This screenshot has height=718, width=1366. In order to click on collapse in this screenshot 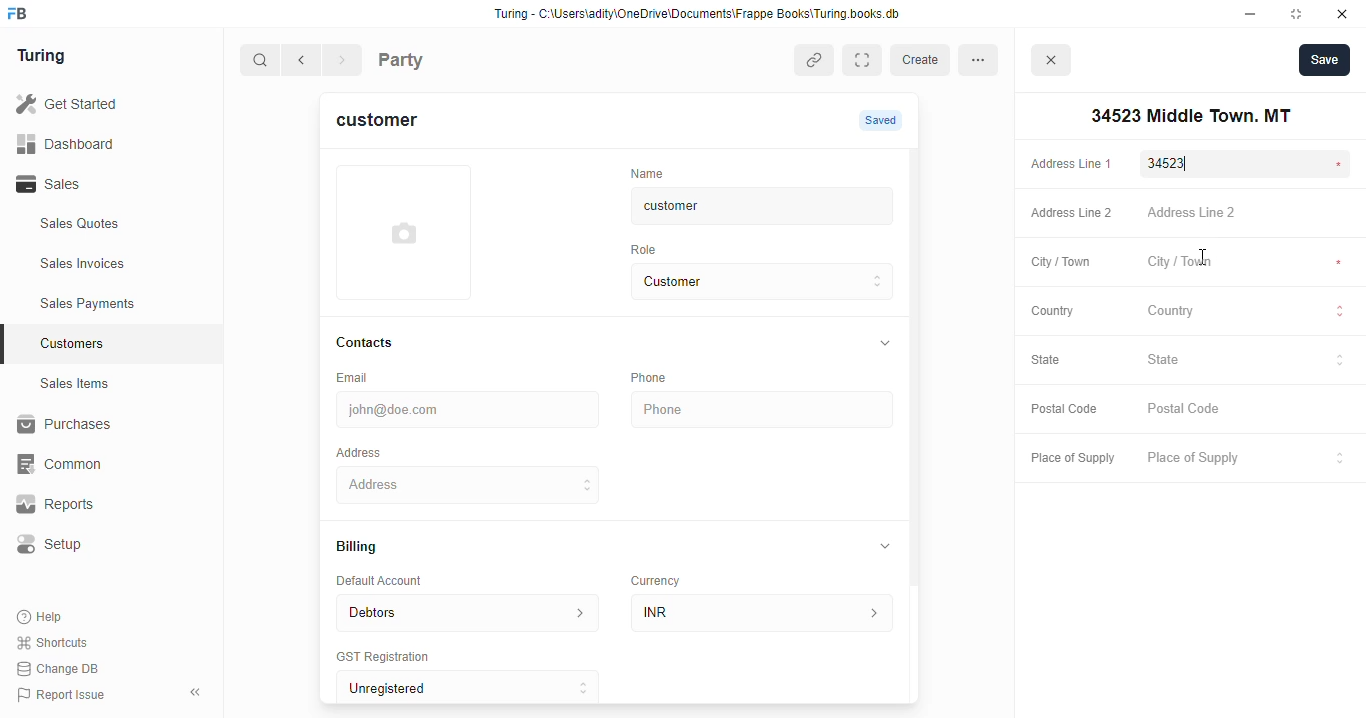, I will do `click(886, 545)`.